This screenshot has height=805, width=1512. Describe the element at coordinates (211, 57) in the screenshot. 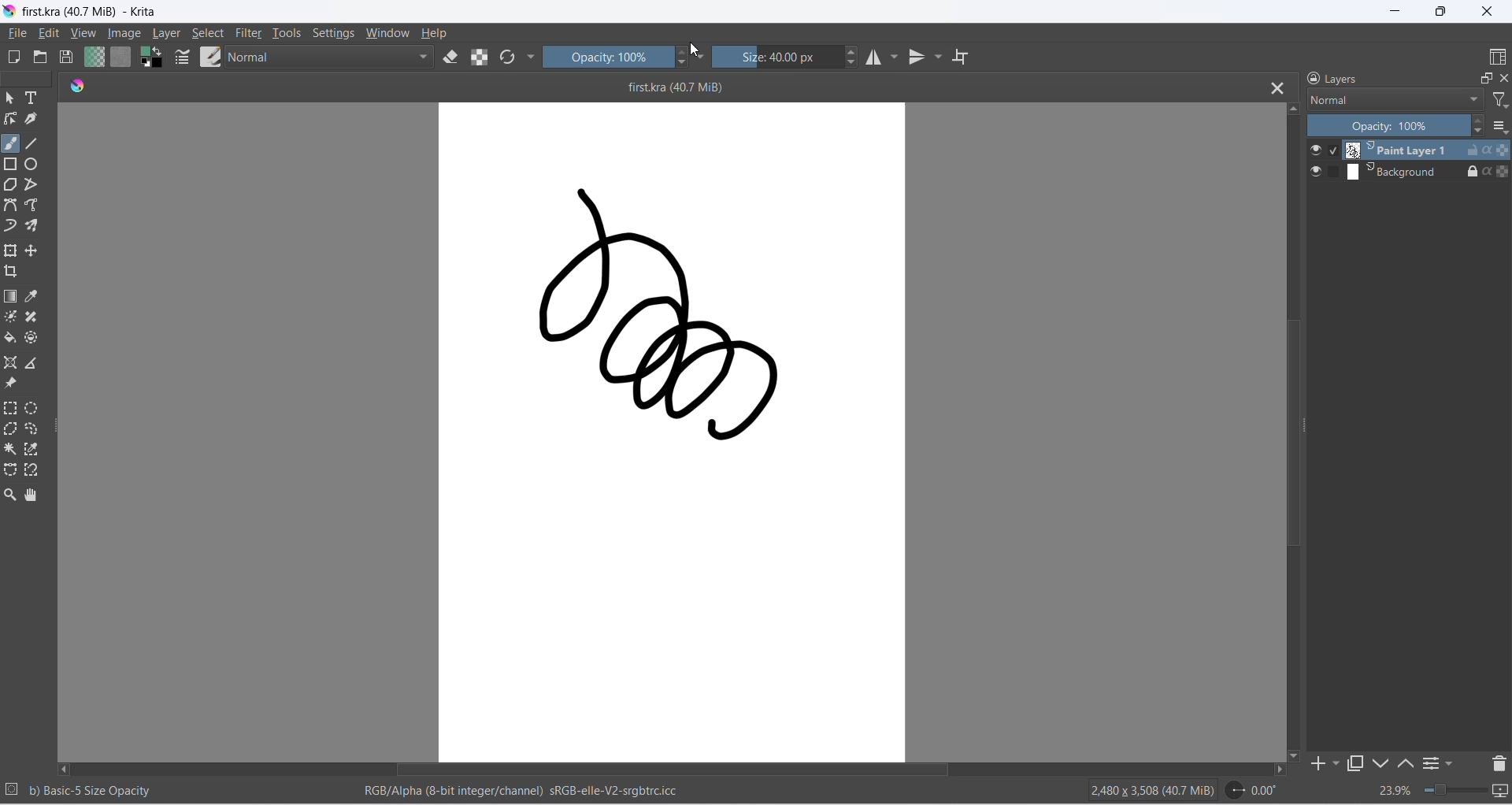

I see `brush presets` at that location.